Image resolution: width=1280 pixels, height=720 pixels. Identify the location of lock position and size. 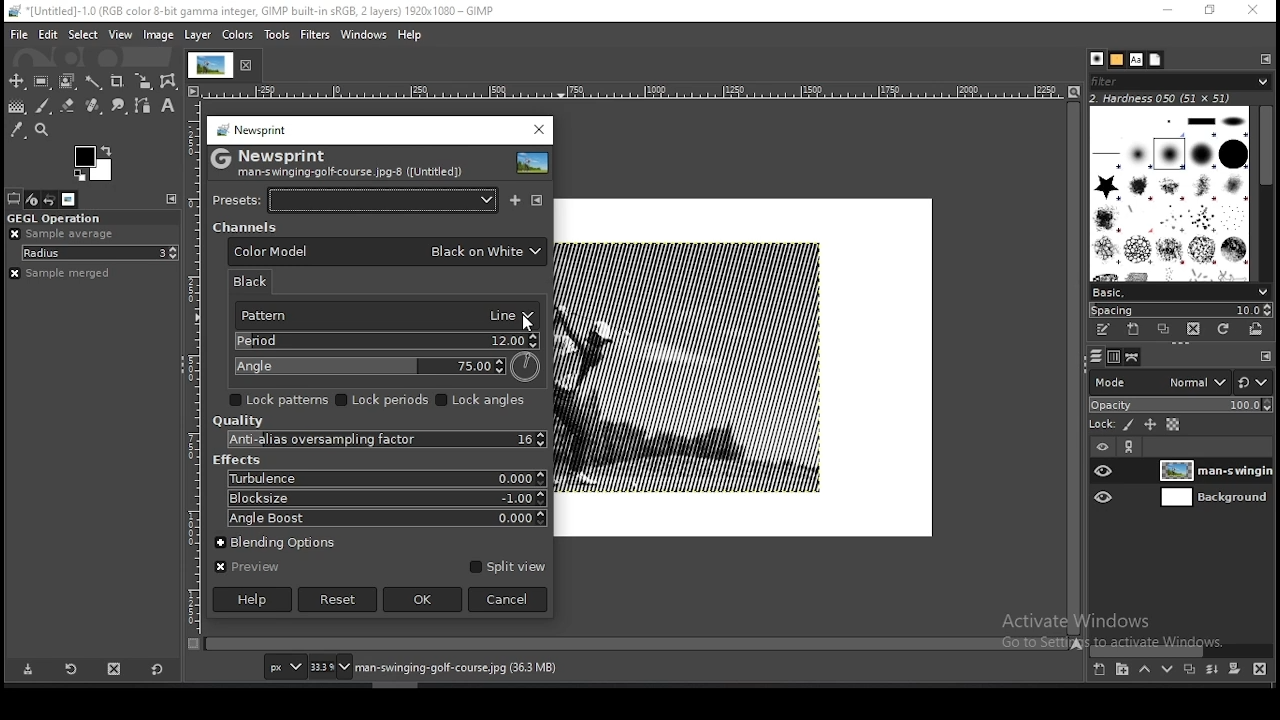
(1149, 426).